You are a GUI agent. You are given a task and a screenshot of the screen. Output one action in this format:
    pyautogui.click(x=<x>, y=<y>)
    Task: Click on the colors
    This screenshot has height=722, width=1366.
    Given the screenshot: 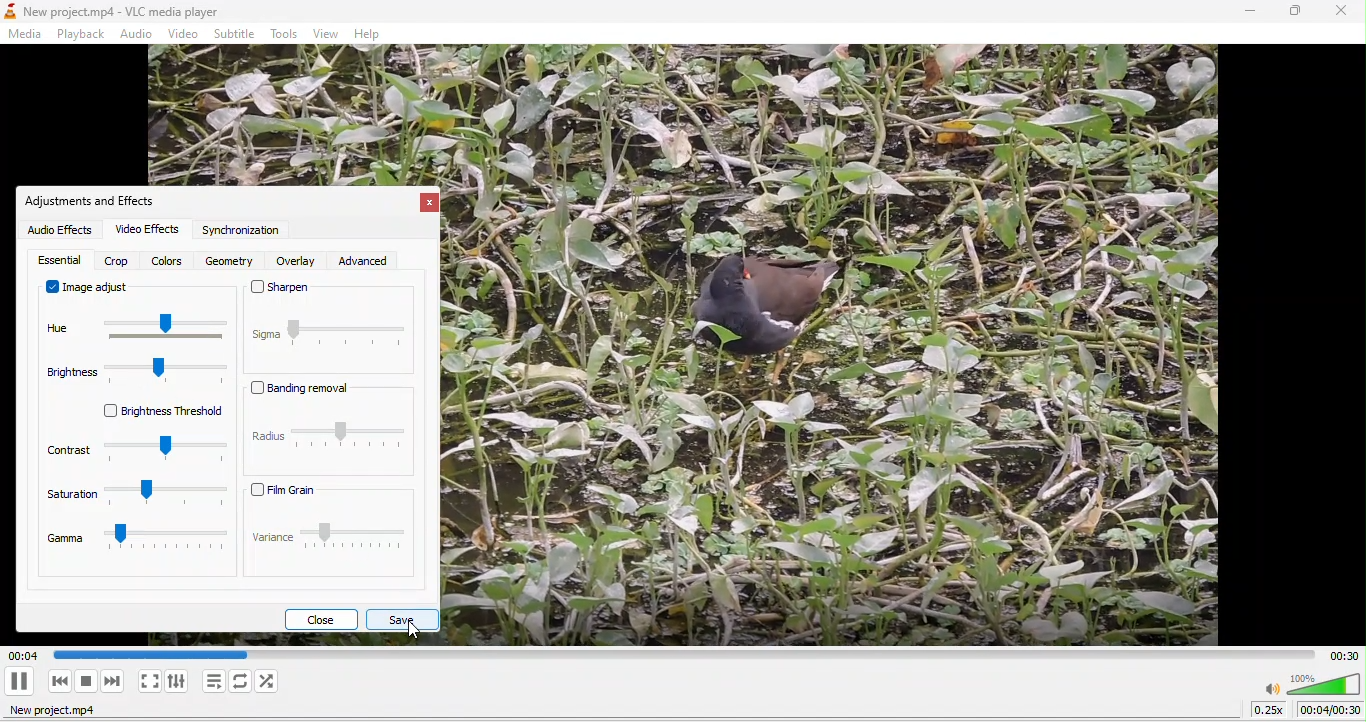 What is the action you would take?
    pyautogui.click(x=169, y=261)
    